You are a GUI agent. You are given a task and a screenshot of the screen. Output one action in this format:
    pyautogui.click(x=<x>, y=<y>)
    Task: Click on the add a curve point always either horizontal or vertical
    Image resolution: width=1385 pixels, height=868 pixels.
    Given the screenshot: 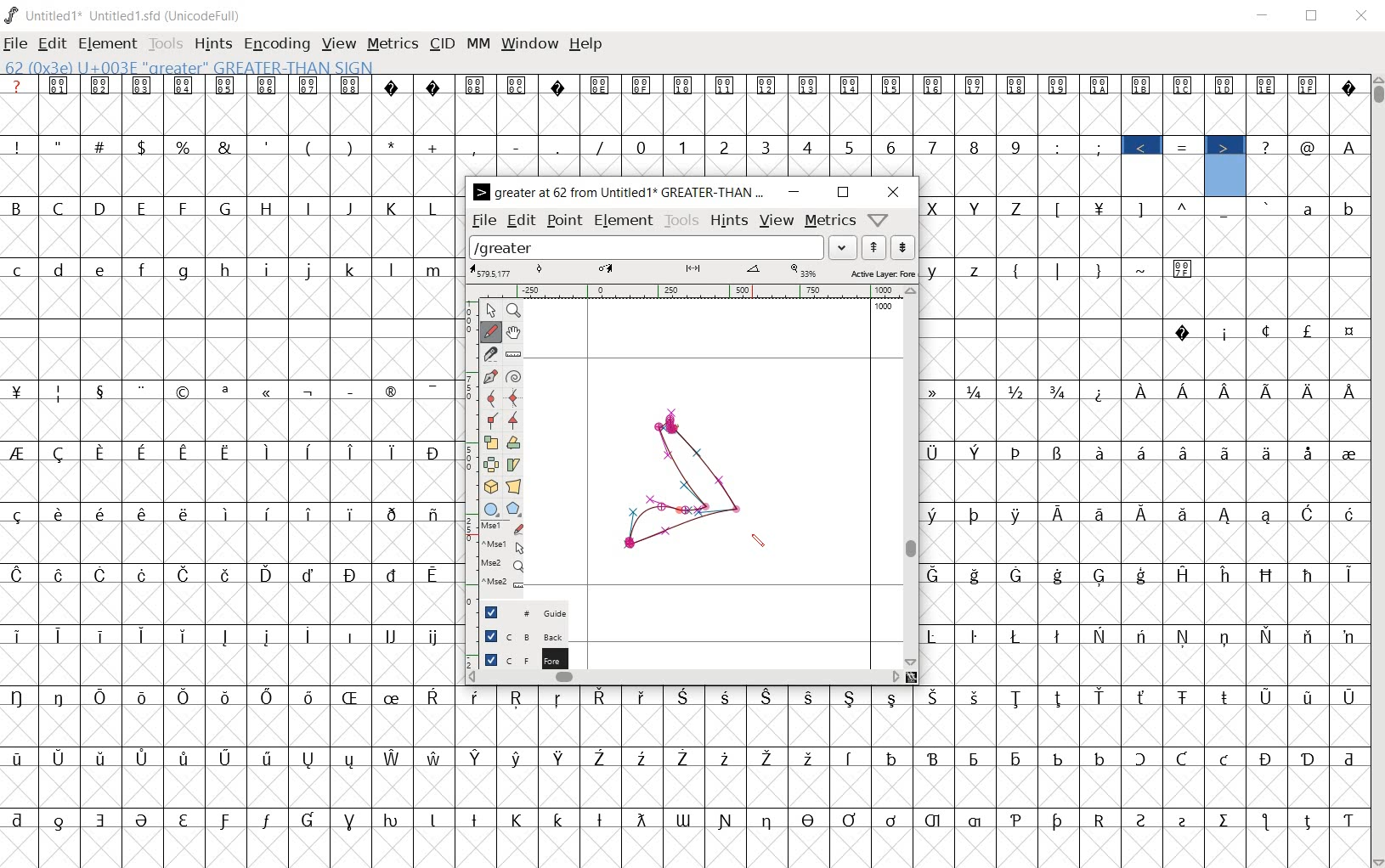 What is the action you would take?
    pyautogui.click(x=517, y=397)
    